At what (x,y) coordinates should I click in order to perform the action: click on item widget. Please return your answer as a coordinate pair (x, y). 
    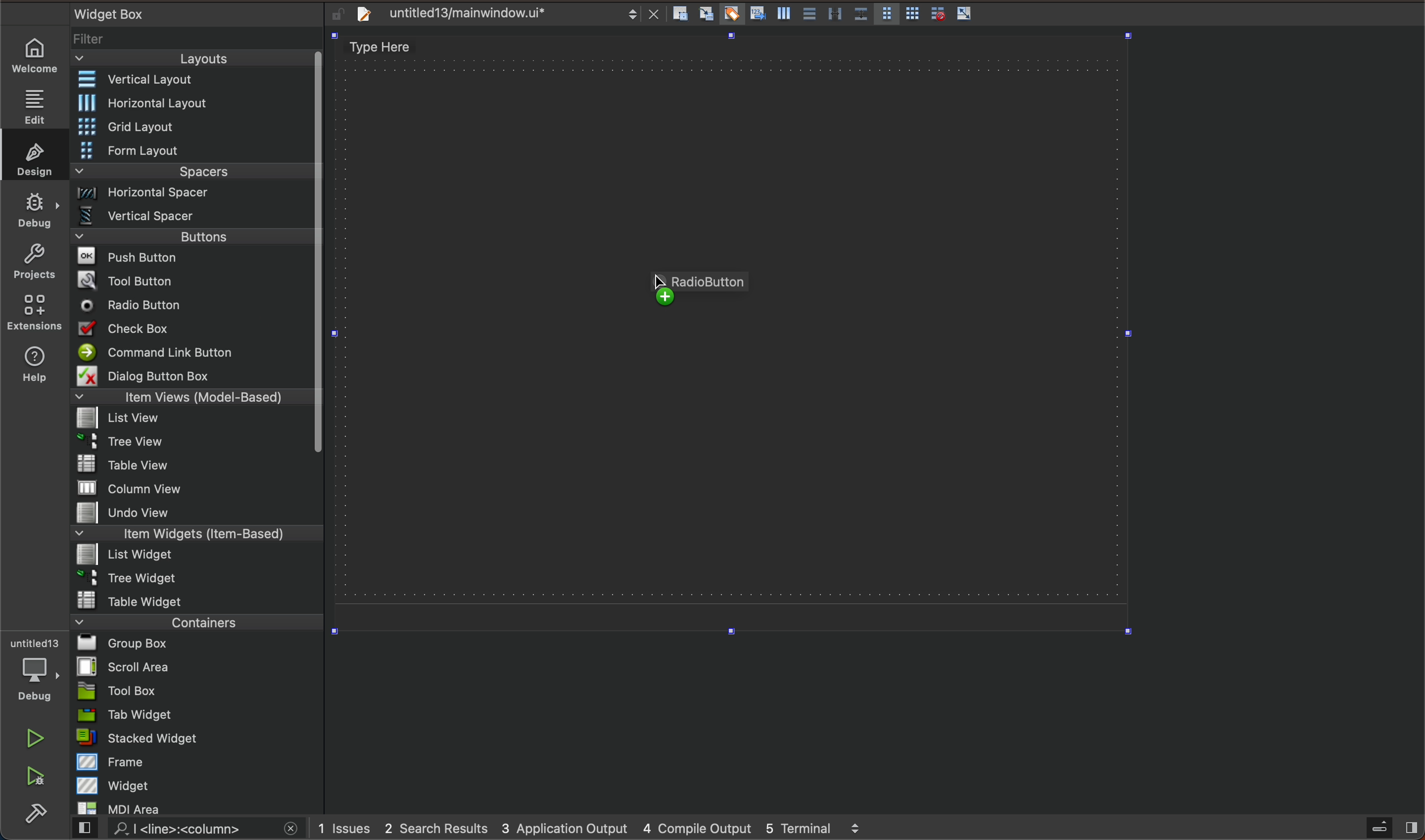
    Looking at the image, I should click on (194, 536).